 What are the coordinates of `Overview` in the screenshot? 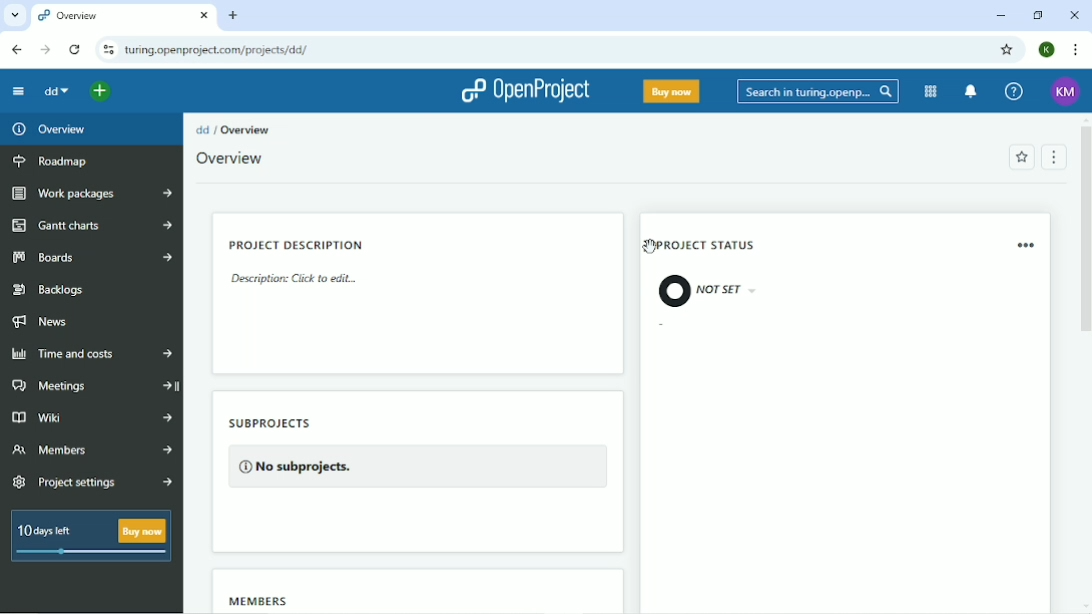 It's located at (231, 158).